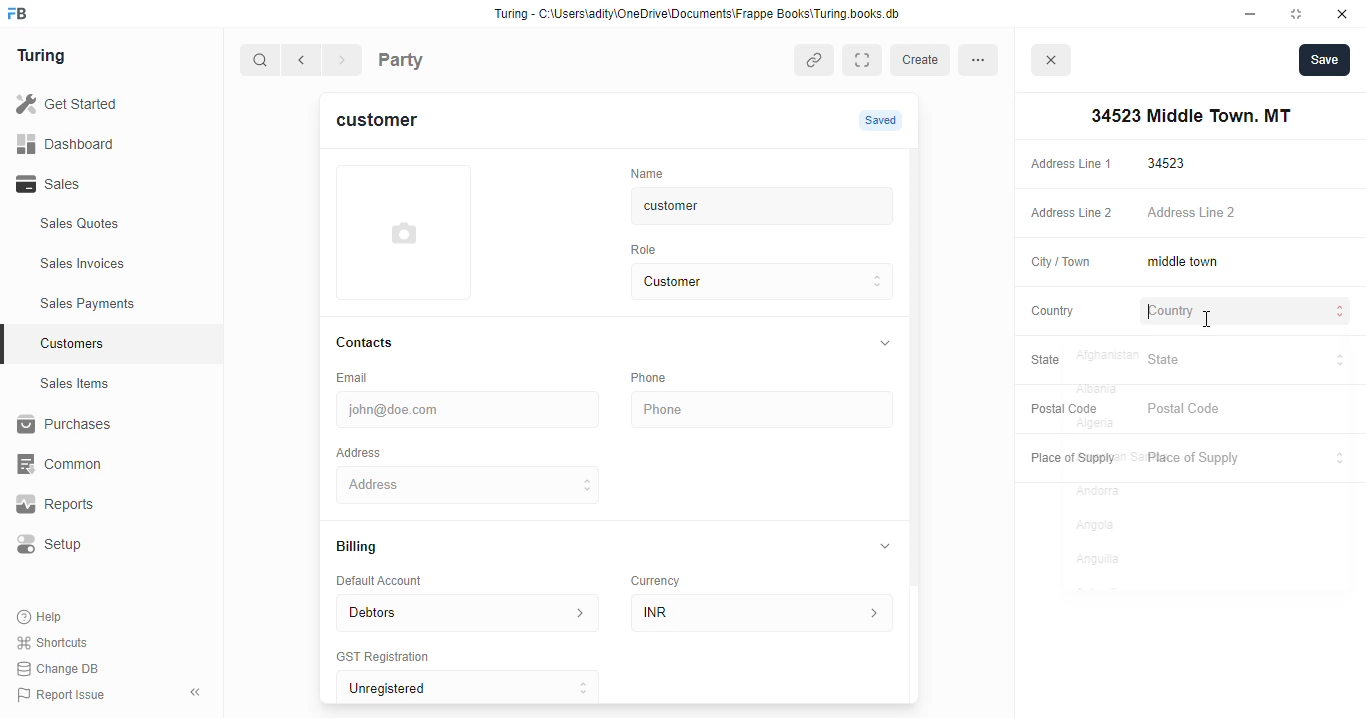 Image resolution: width=1366 pixels, height=718 pixels. What do you see at coordinates (1300, 14) in the screenshot?
I see `maximise` at bounding box center [1300, 14].